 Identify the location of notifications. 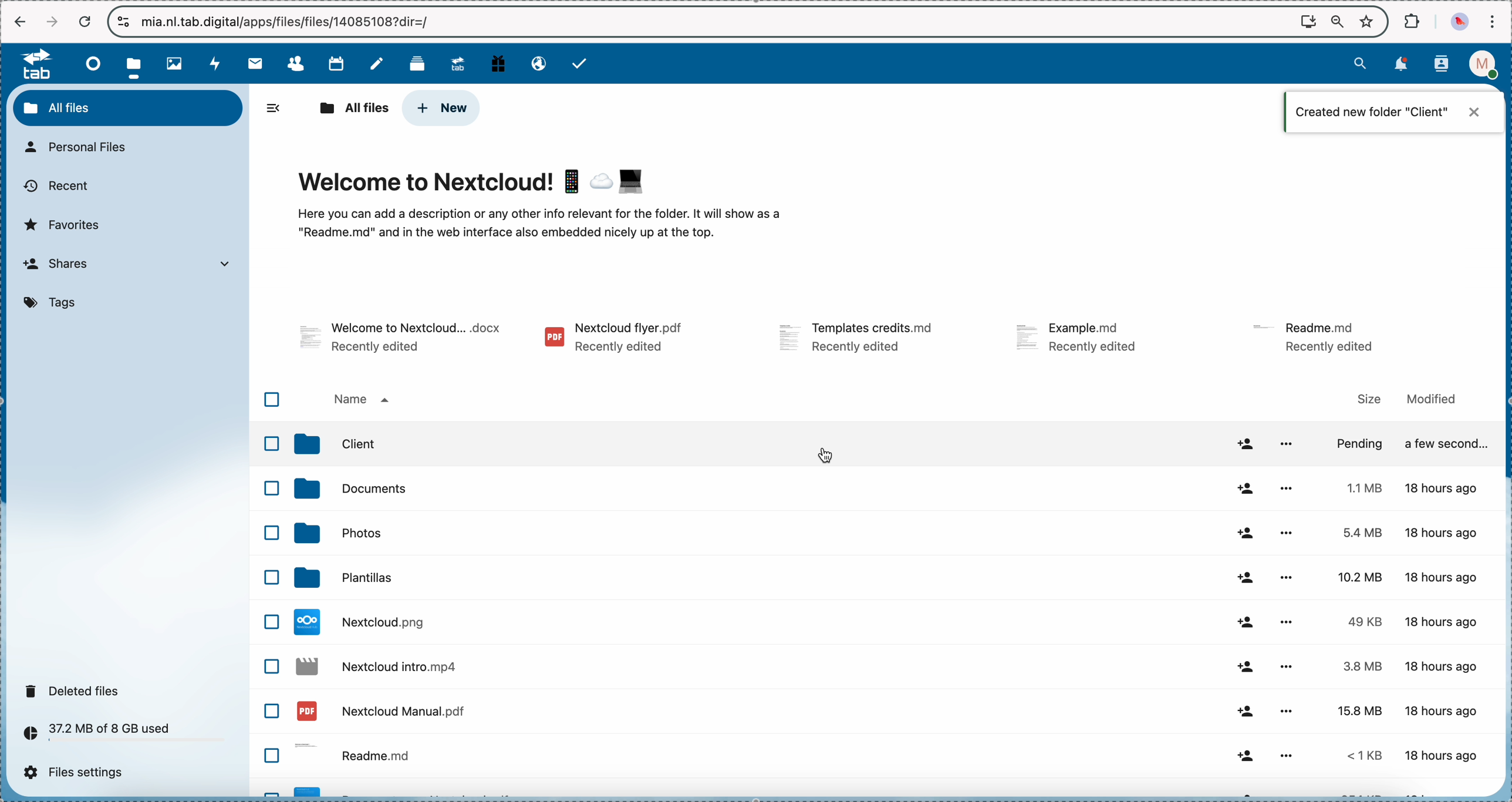
(1399, 65).